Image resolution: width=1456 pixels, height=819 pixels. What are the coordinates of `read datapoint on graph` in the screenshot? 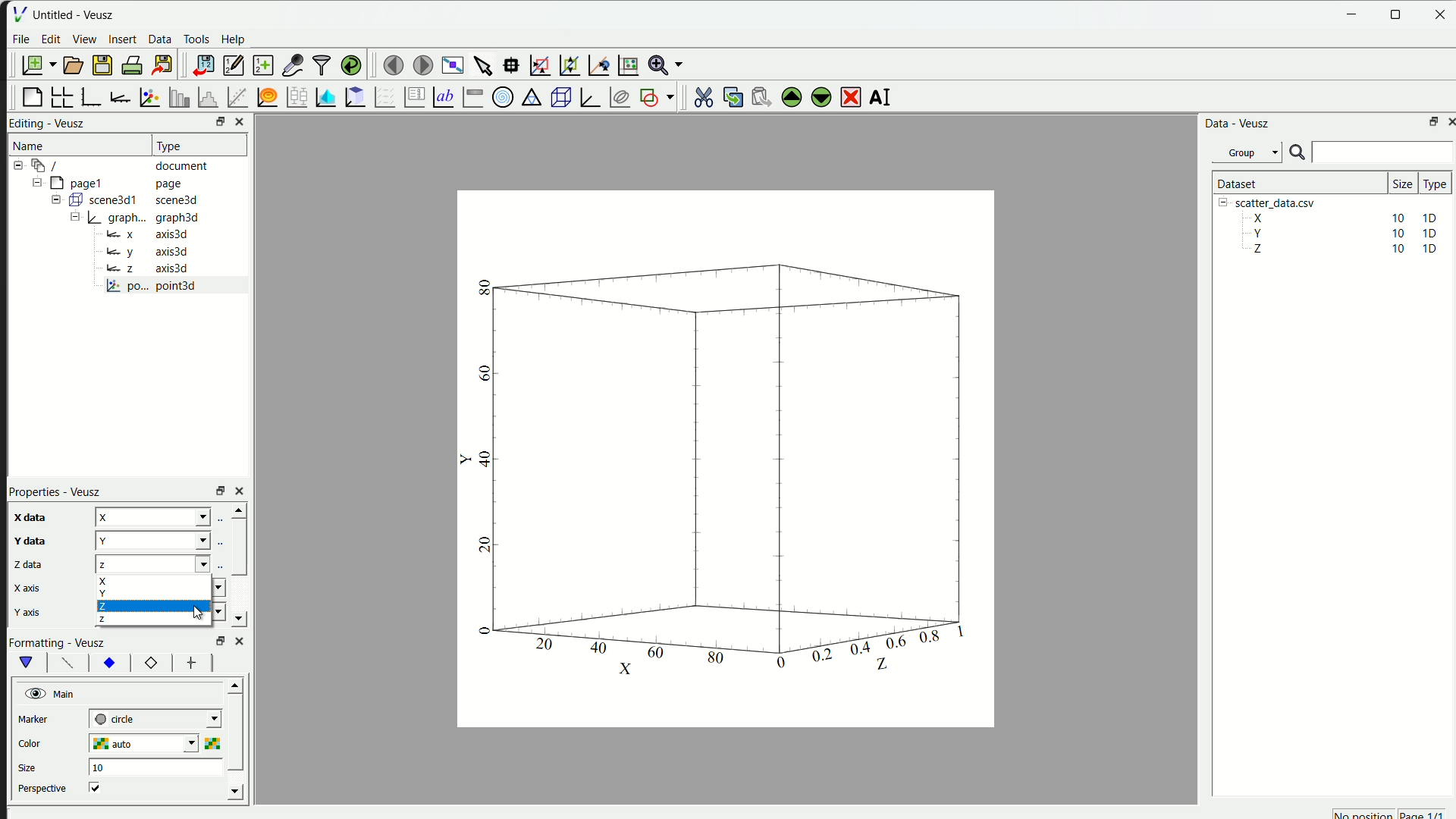 It's located at (510, 64).